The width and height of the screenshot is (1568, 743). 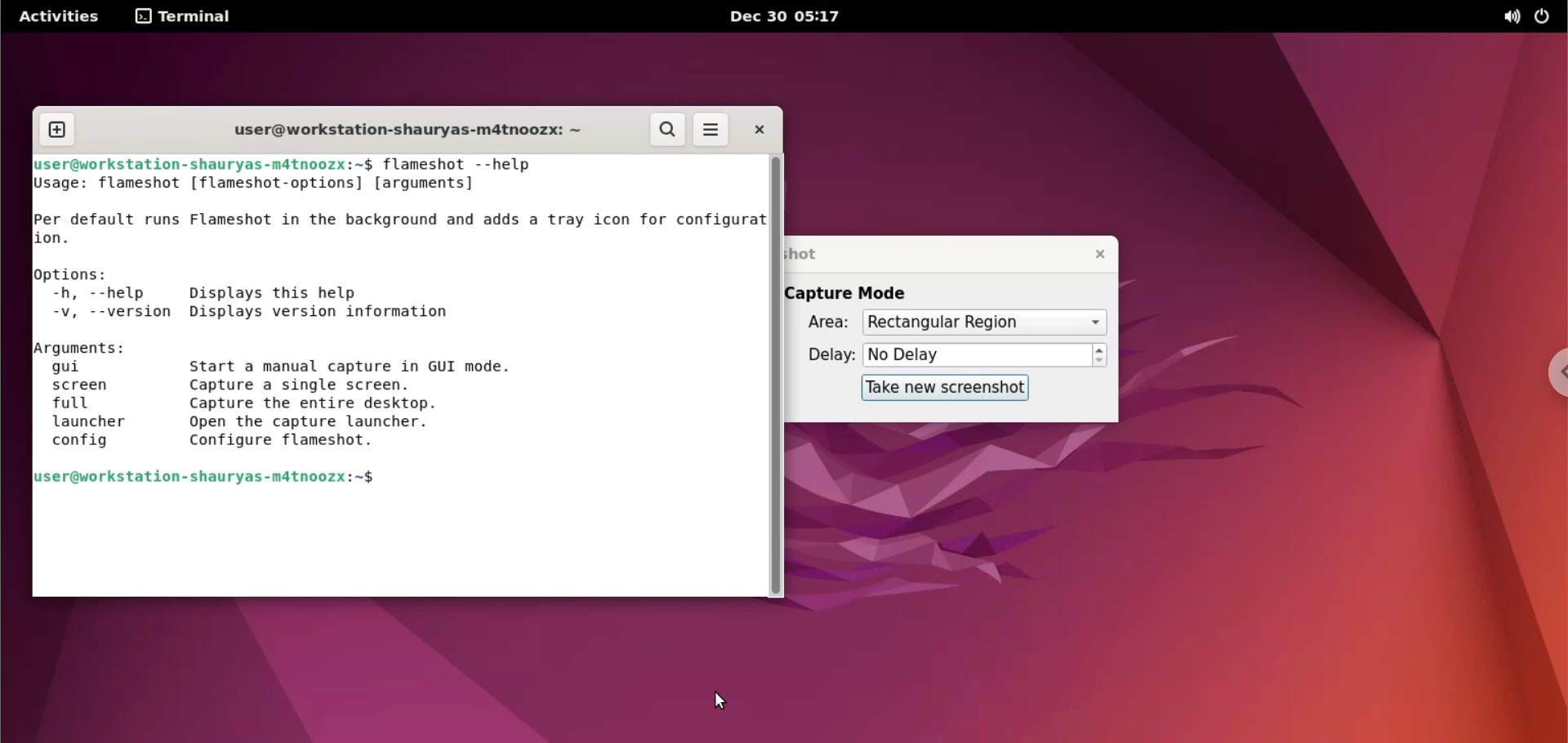 What do you see at coordinates (825, 358) in the screenshot?
I see `delay:` at bounding box center [825, 358].